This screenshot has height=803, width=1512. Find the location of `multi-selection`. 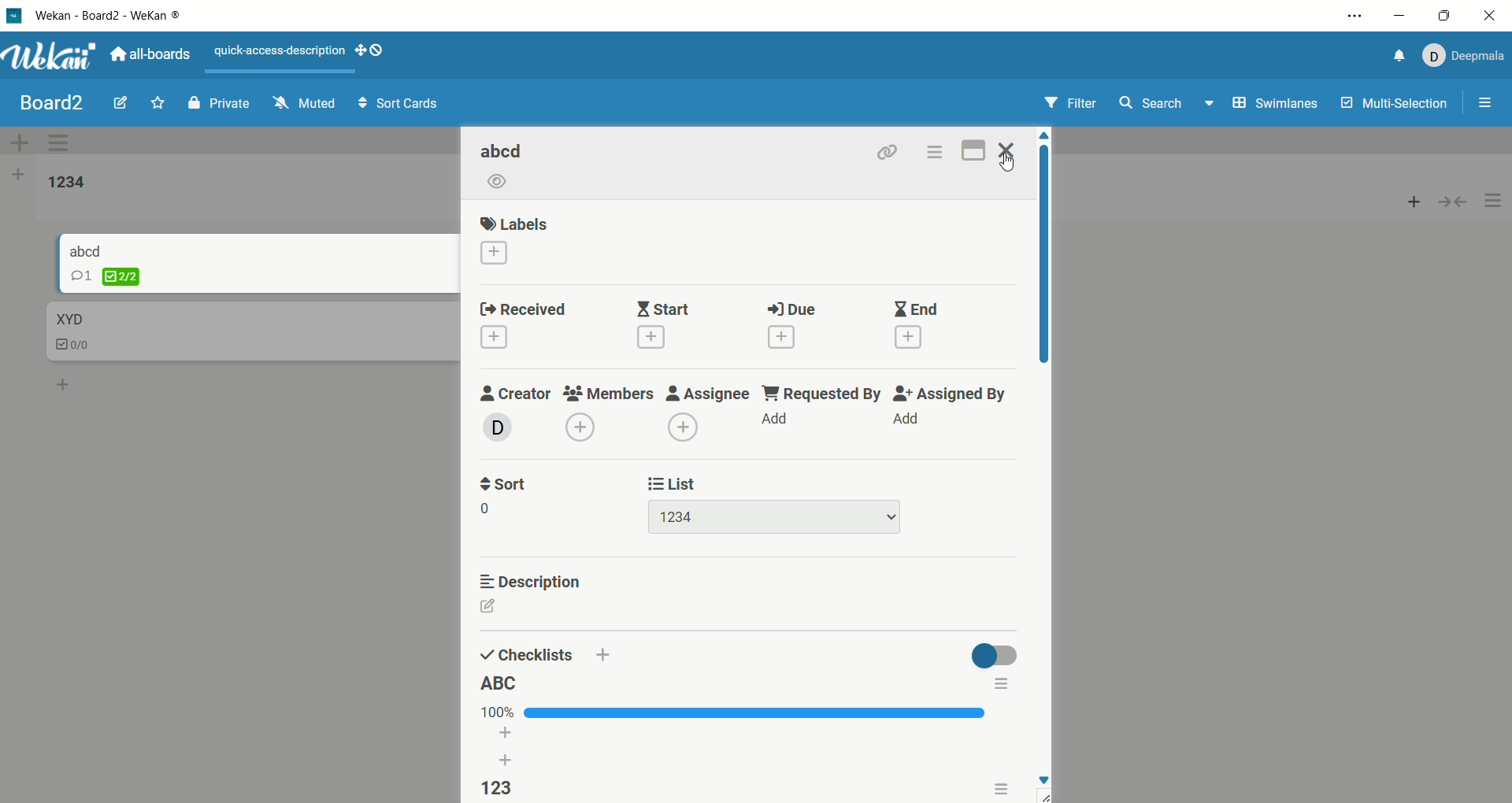

multi-selection is located at coordinates (1393, 110).